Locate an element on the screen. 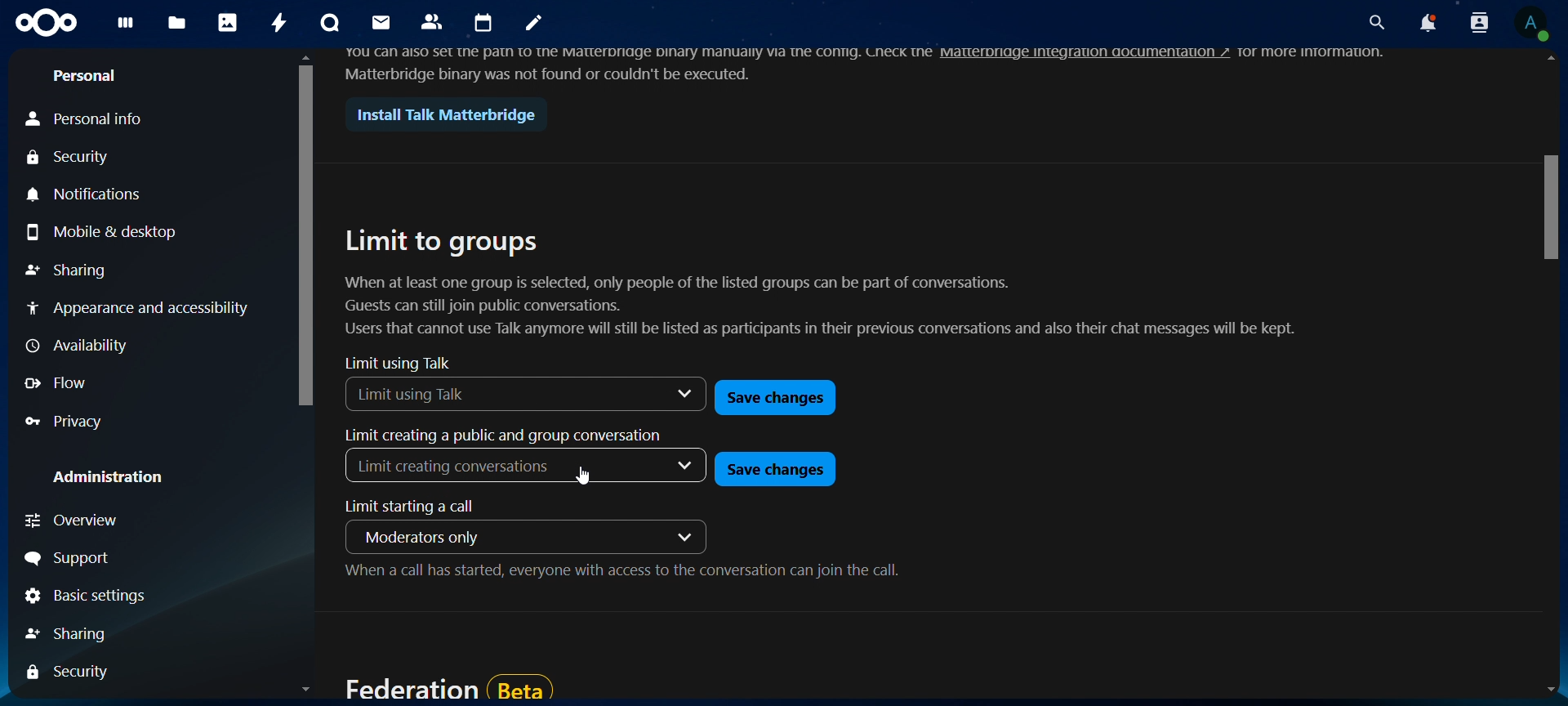 The width and height of the screenshot is (1568, 706). limit creating a public  and group conversation is located at coordinates (505, 434).